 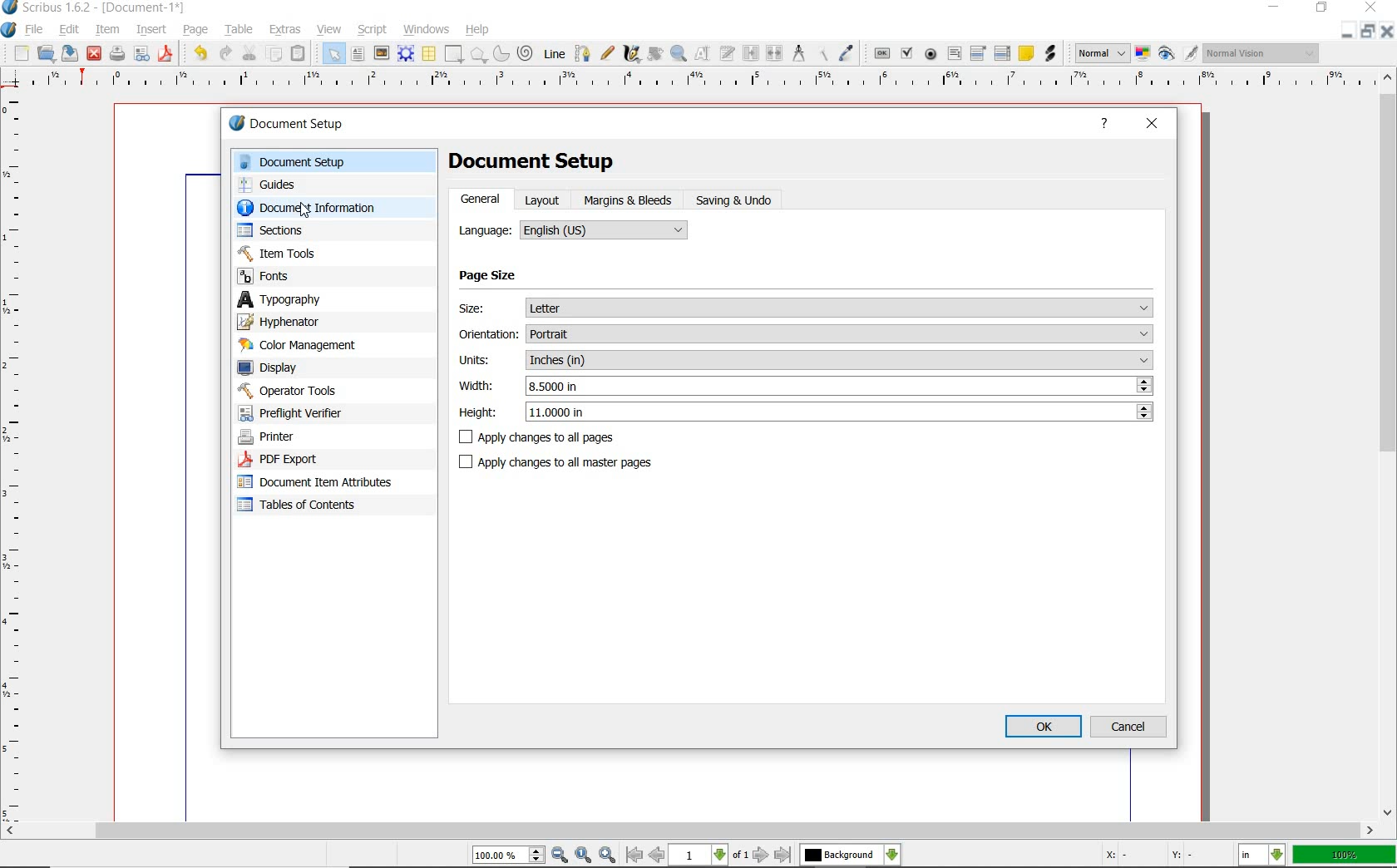 I want to click on print, so click(x=117, y=55).